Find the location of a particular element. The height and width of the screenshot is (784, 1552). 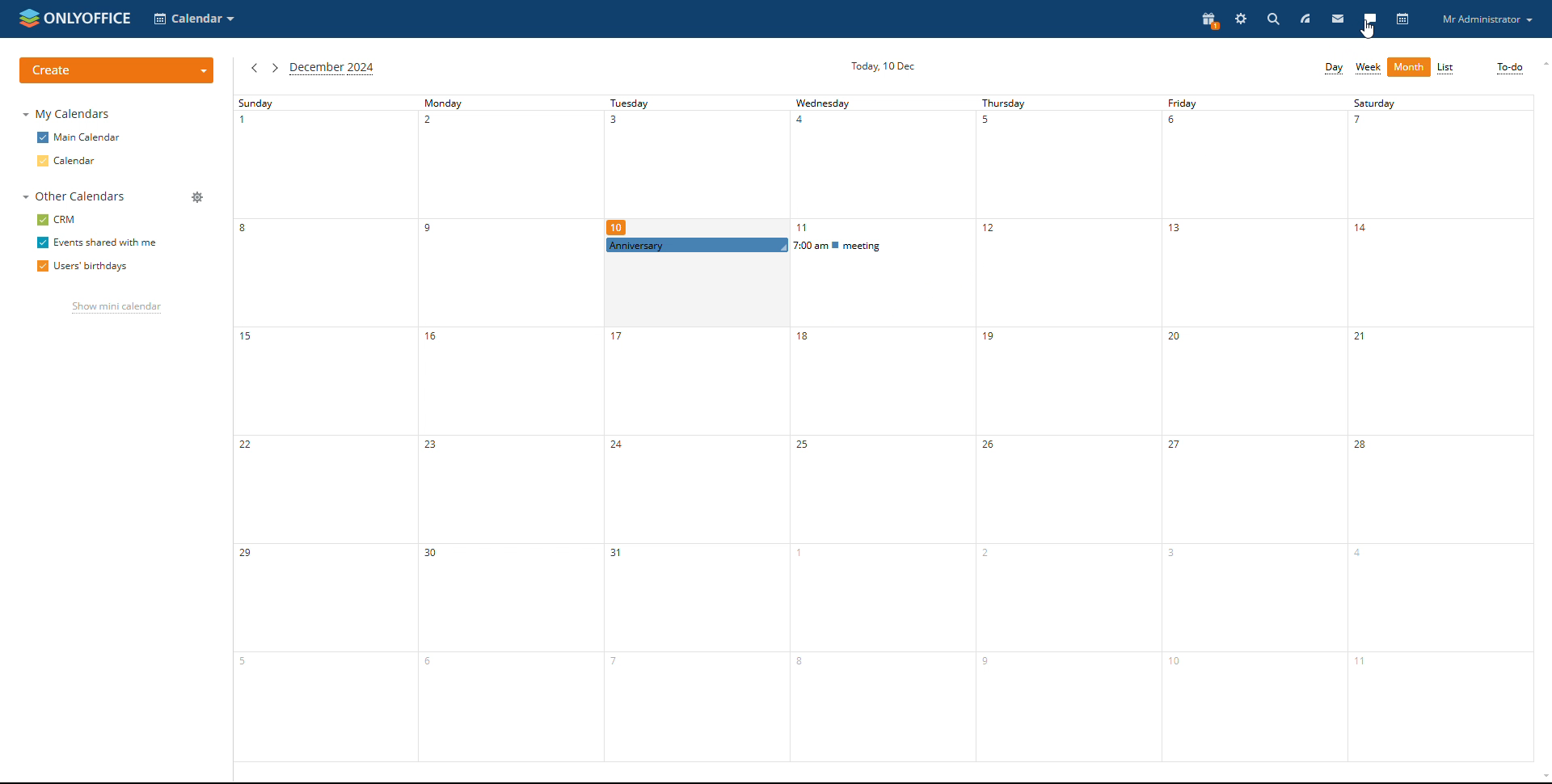

present is located at coordinates (1207, 21).